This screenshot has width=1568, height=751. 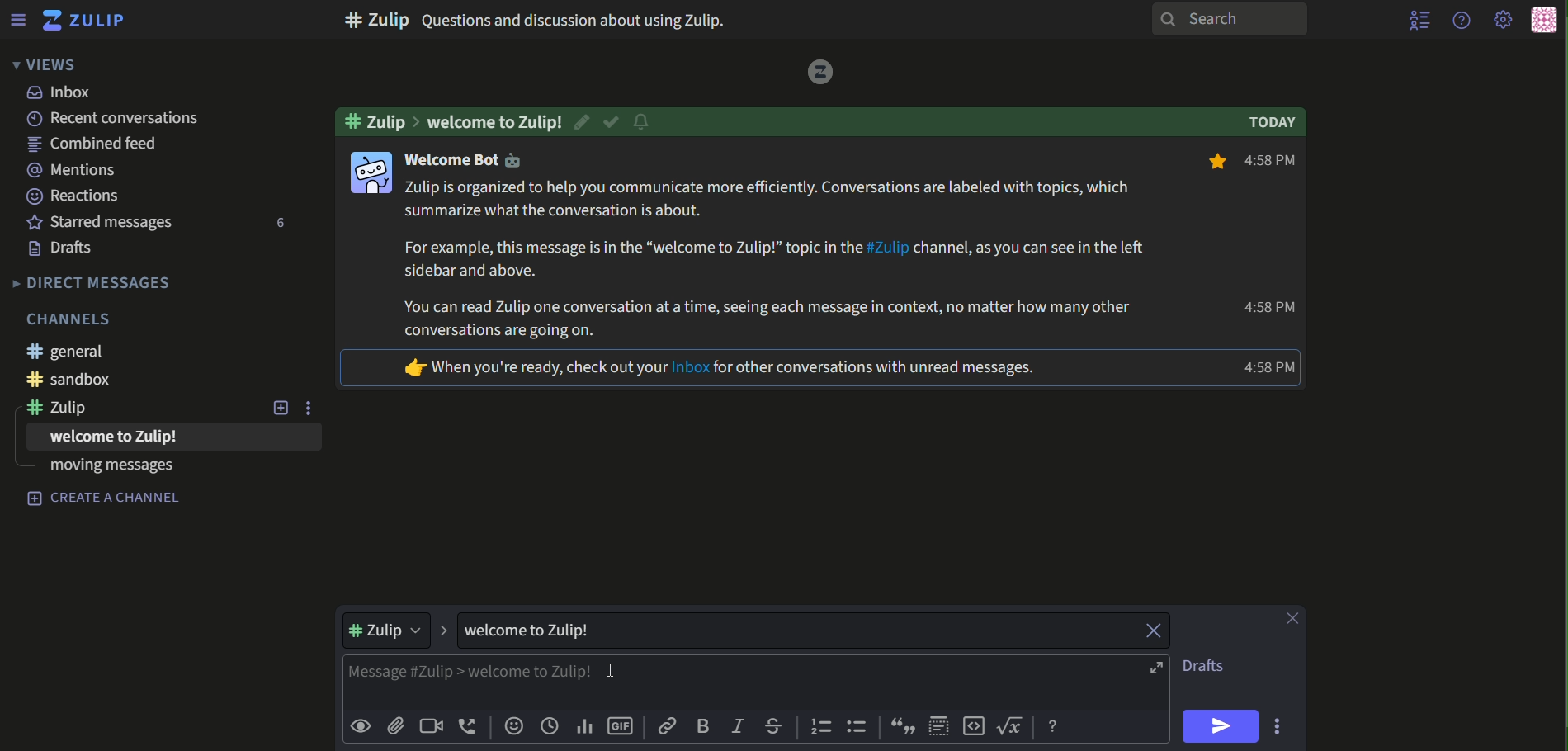 What do you see at coordinates (621, 728) in the screenshot?
I see `add gif` at bounding box center [621, 728].